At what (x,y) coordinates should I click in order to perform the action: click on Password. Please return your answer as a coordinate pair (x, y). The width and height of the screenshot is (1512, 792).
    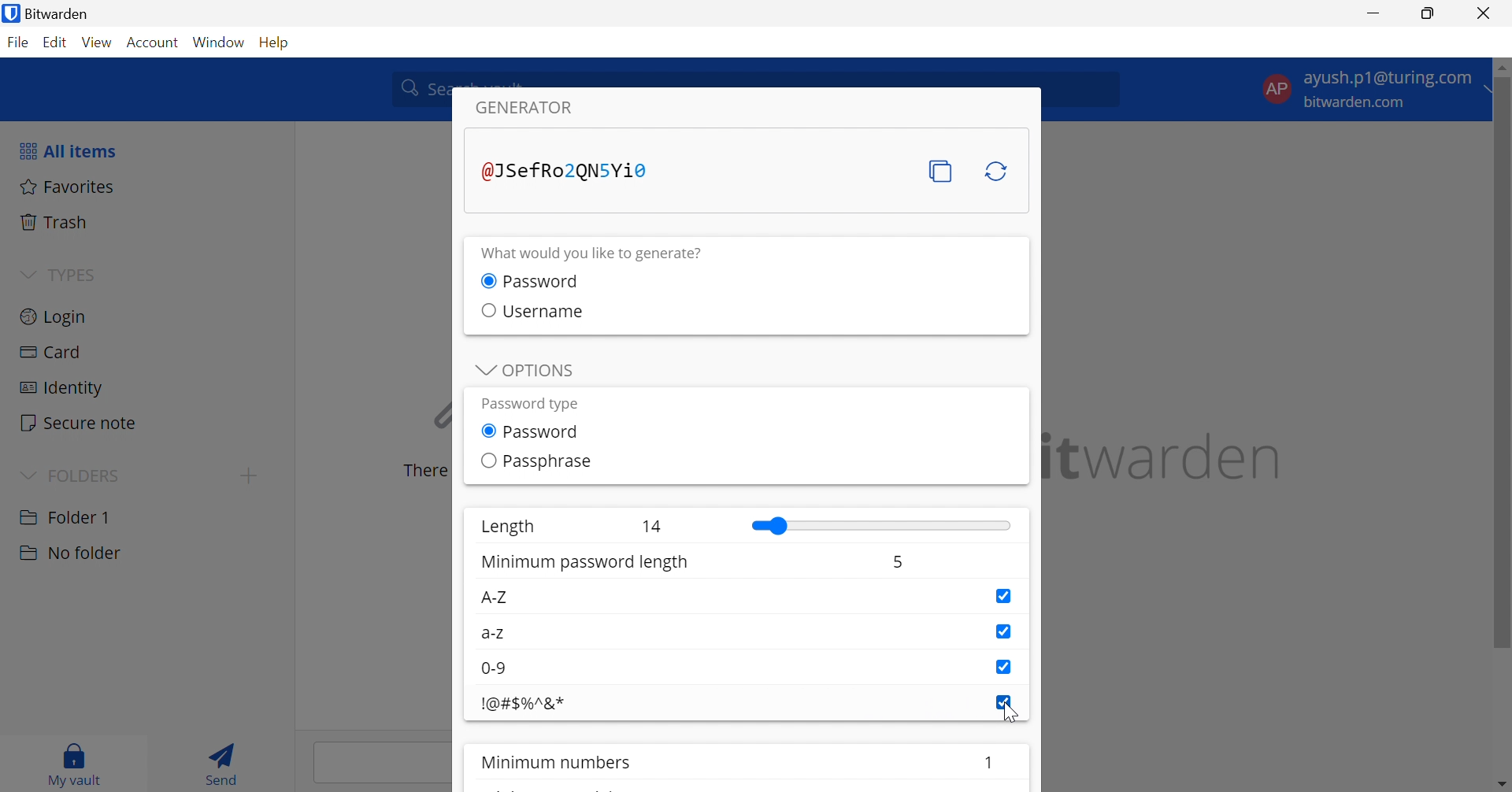
    Looking at the image, I should click on (546, 280).